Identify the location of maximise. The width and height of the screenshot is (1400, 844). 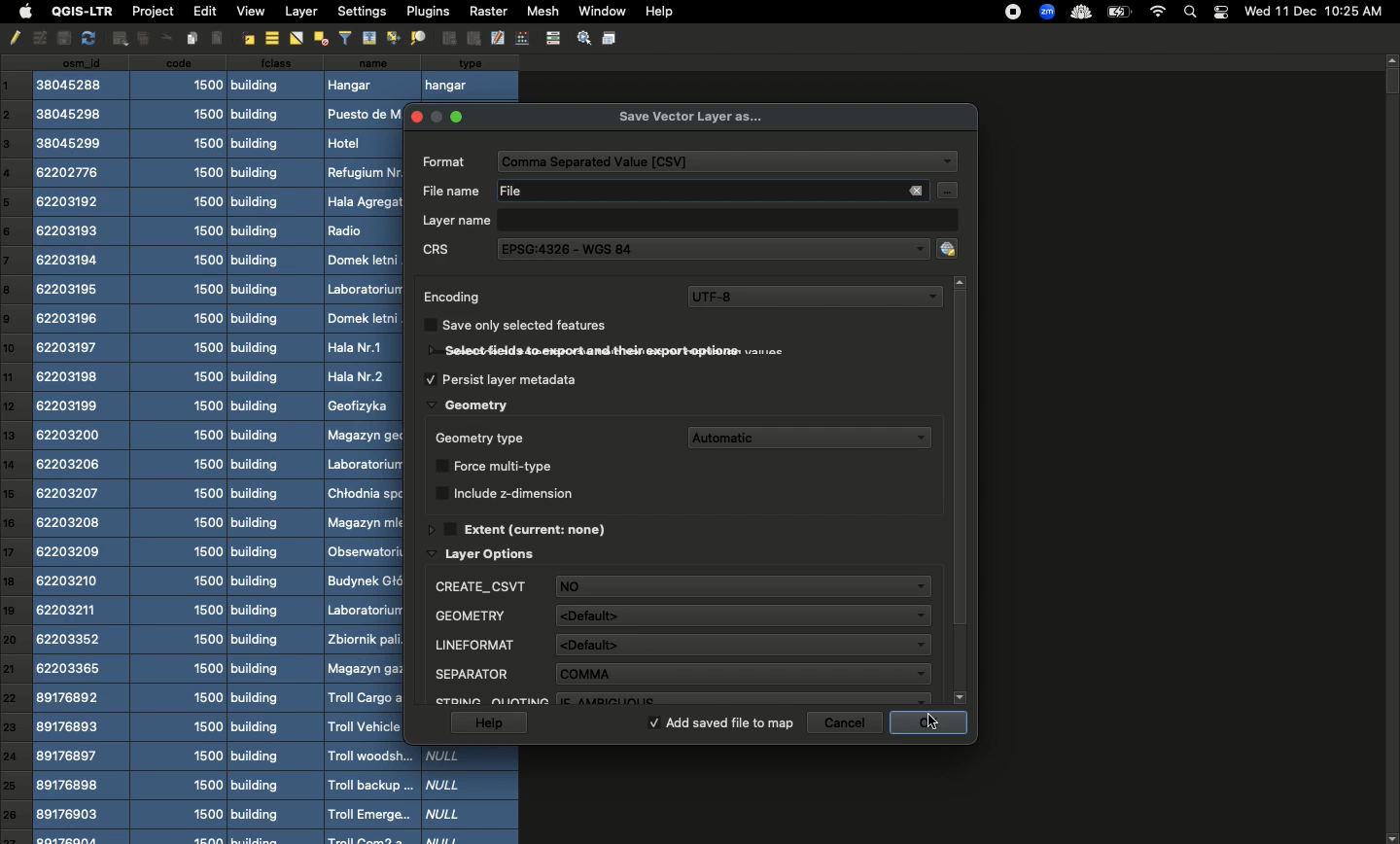
(458, 116).